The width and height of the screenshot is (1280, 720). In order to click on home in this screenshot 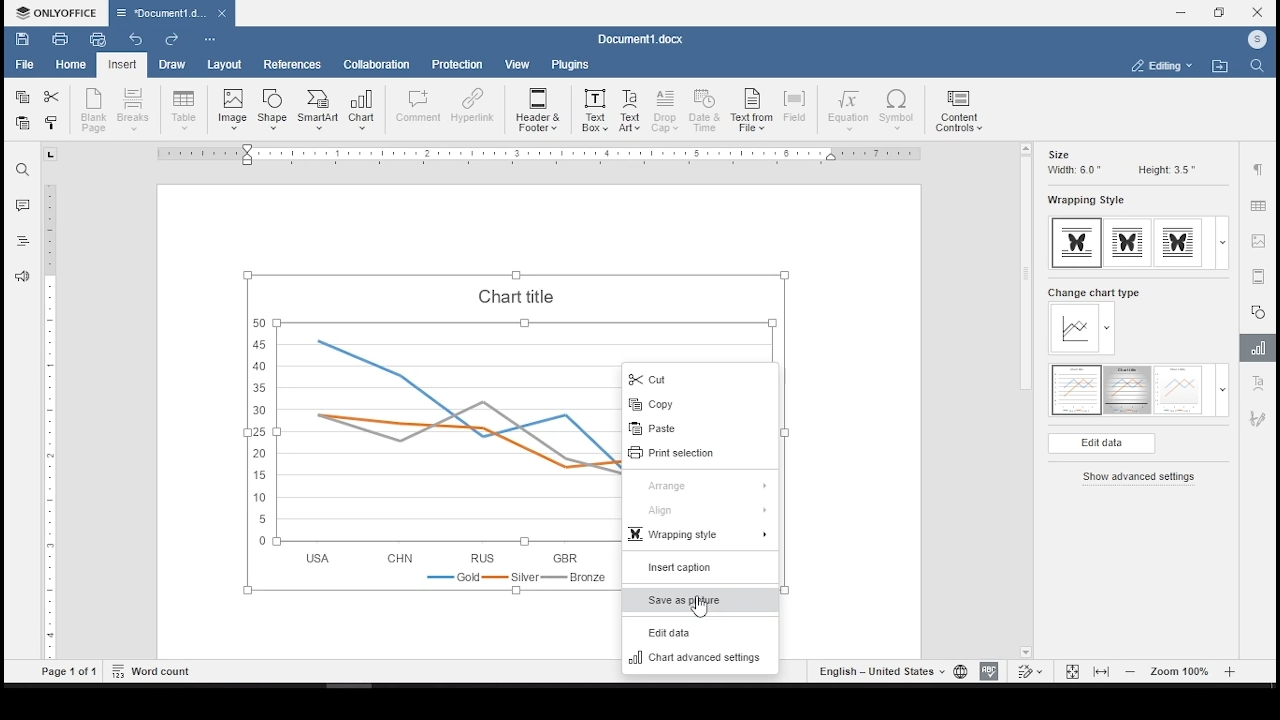, I will do `click(72, 65)`.